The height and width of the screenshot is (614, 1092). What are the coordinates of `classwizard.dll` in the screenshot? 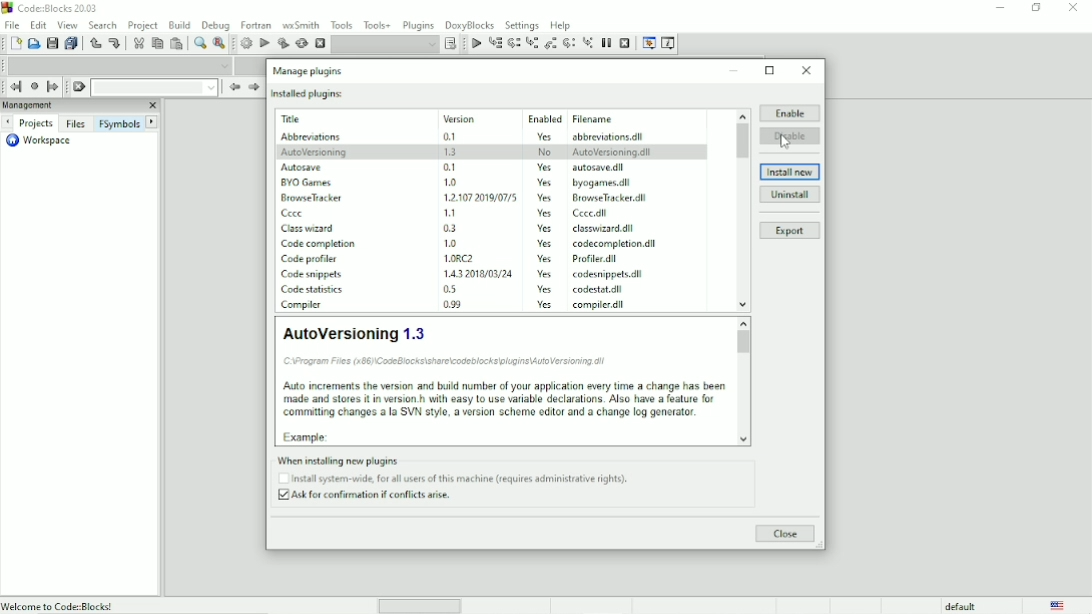 It's located at (601, 229).